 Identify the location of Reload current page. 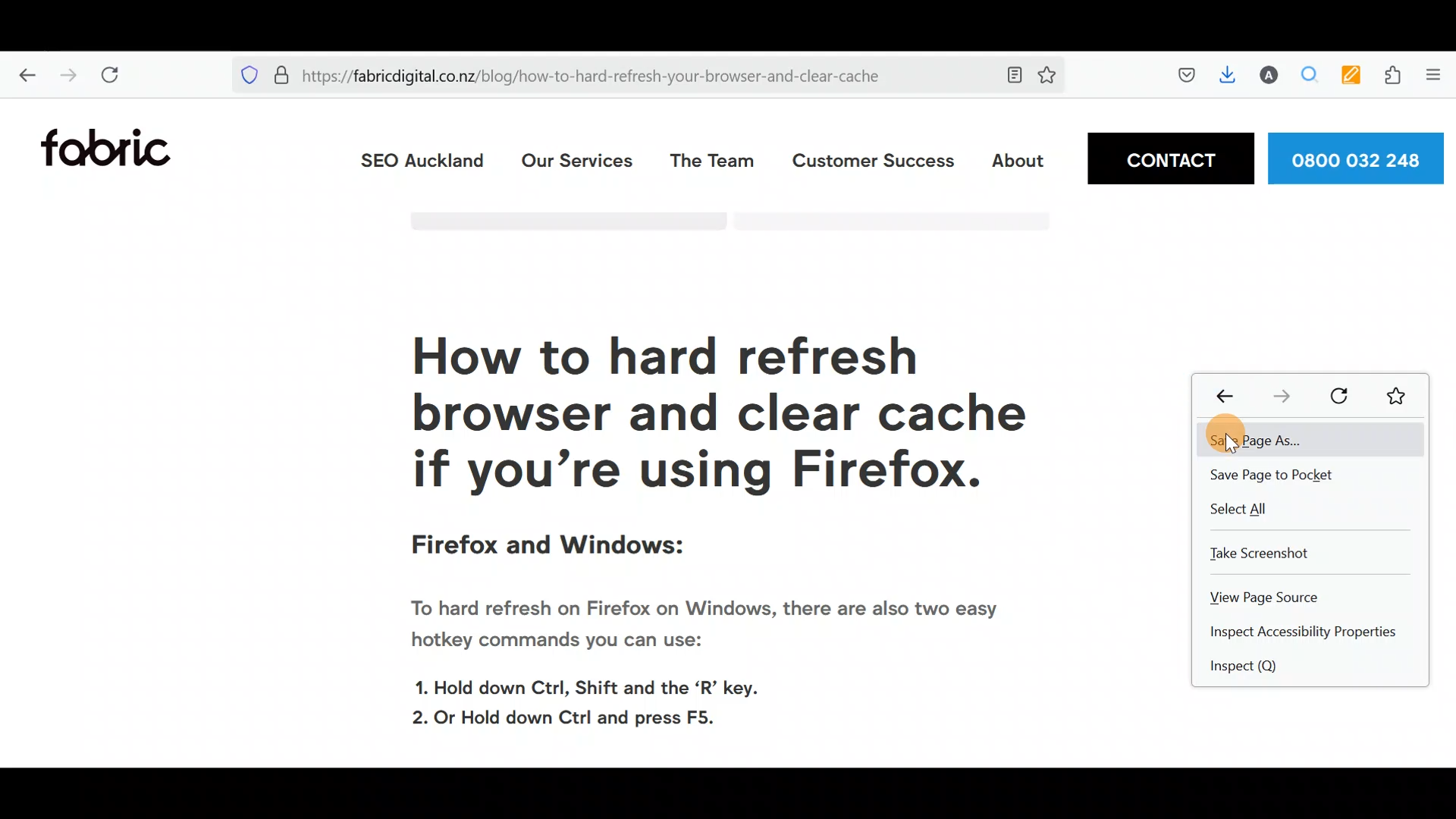
(1339, 396).